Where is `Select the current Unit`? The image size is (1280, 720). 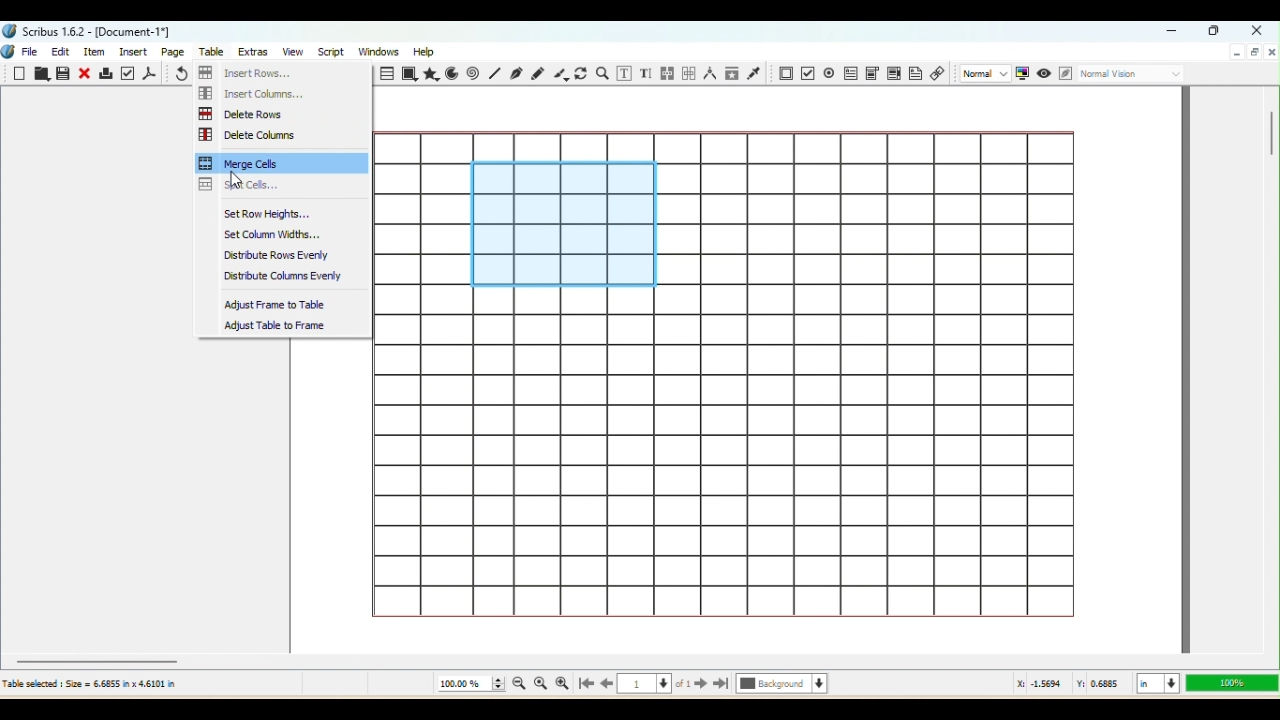 Select the current Unit is located at coordinates (1156, 684).